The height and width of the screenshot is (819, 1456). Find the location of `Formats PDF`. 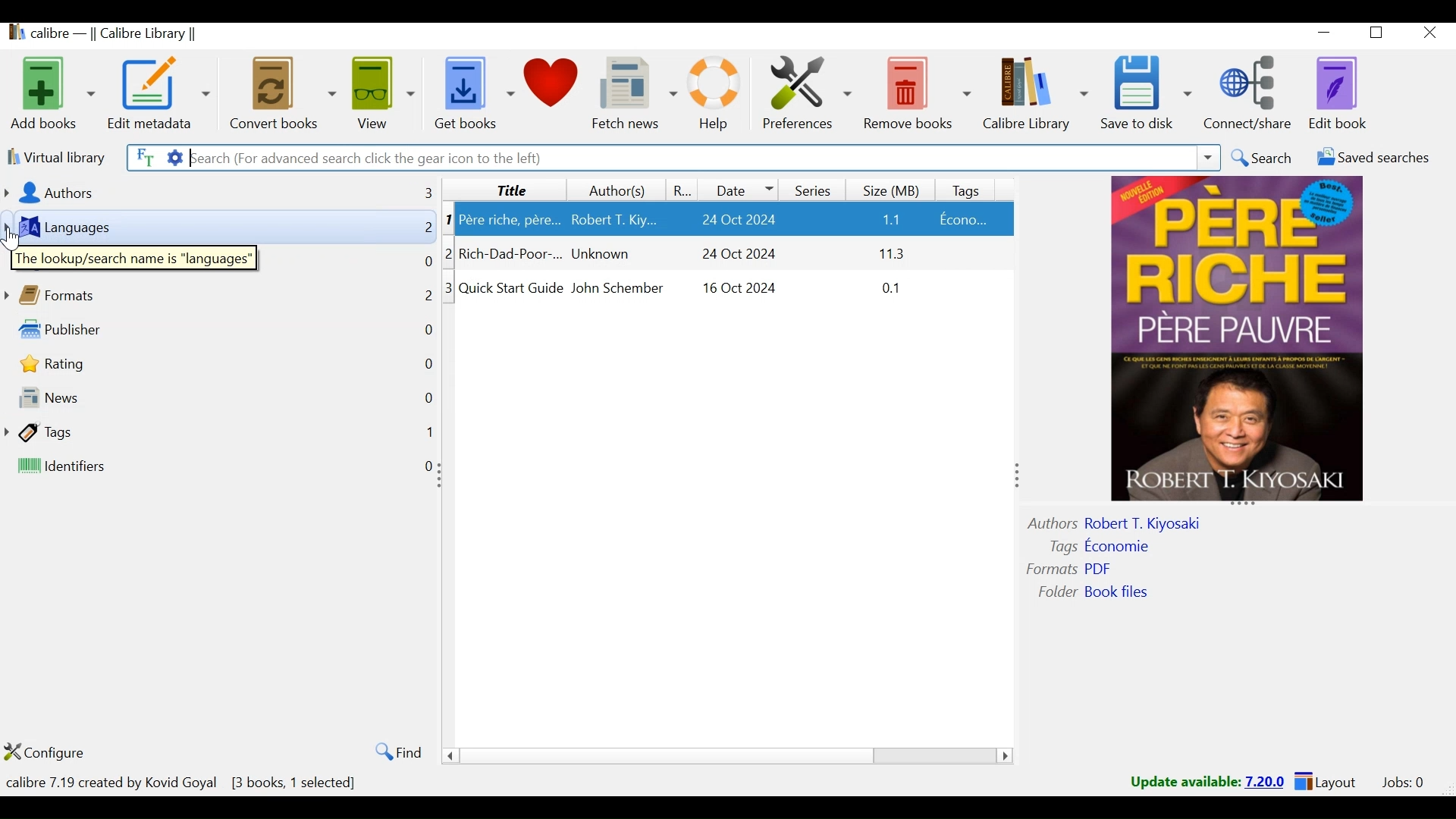

Formats PDF is located at coordinates (1072, 567).